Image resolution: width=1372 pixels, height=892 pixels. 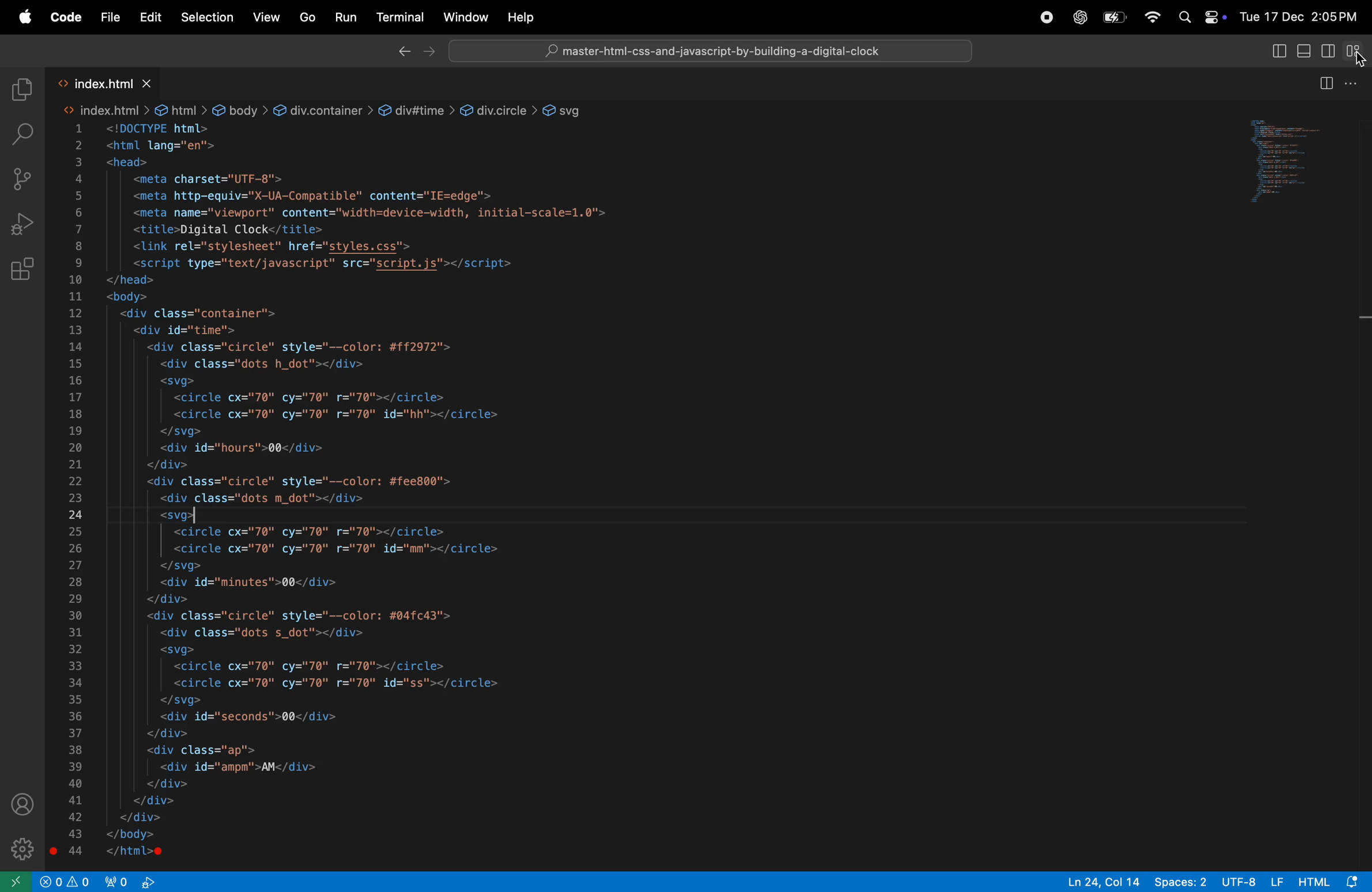 What do you see at coordinates (24, 269) in the screenshot?
I see `extensions` at bounding box center [24, 269].